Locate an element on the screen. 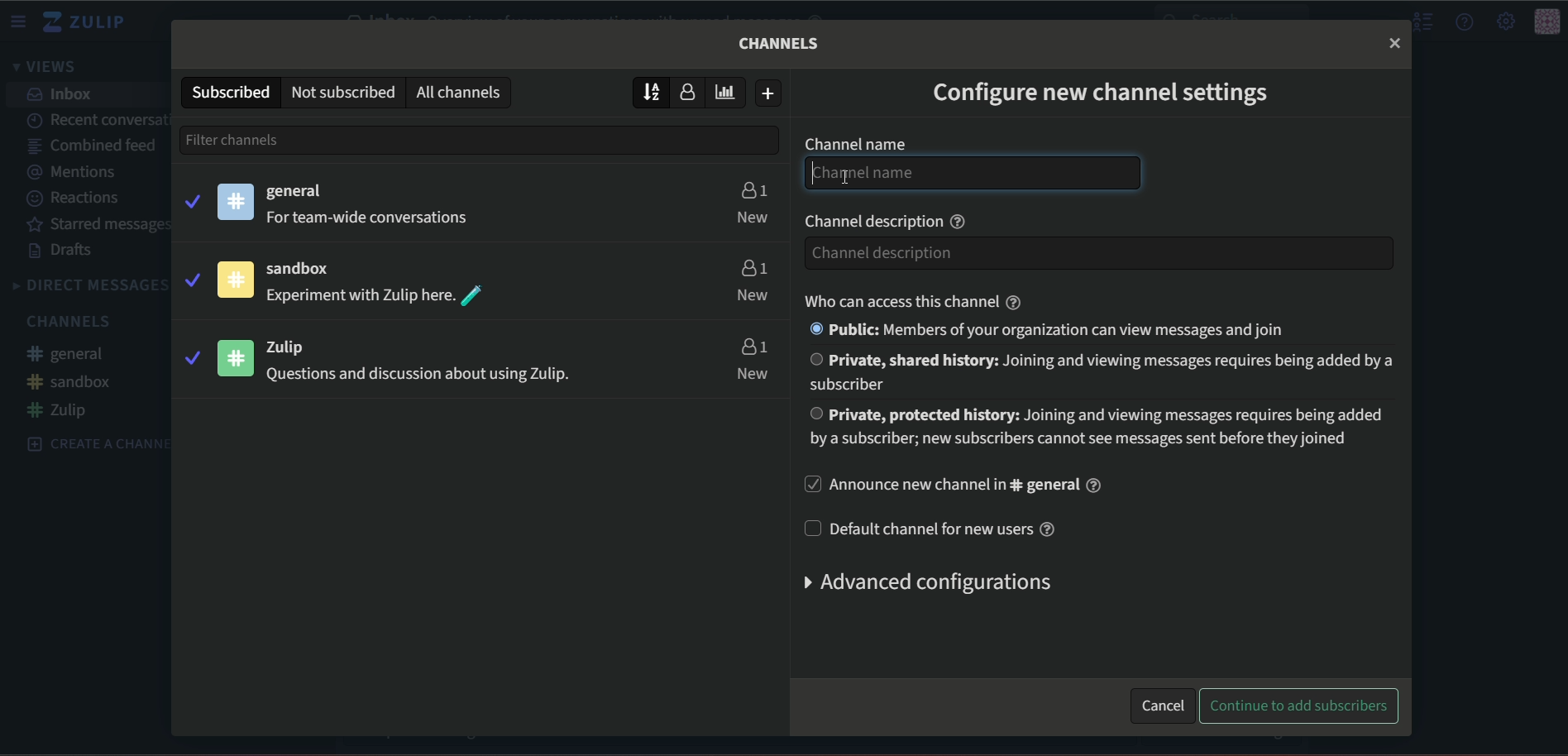 This screenshot has width=1568, height=756. zulip is located at coordinates (298, 347).